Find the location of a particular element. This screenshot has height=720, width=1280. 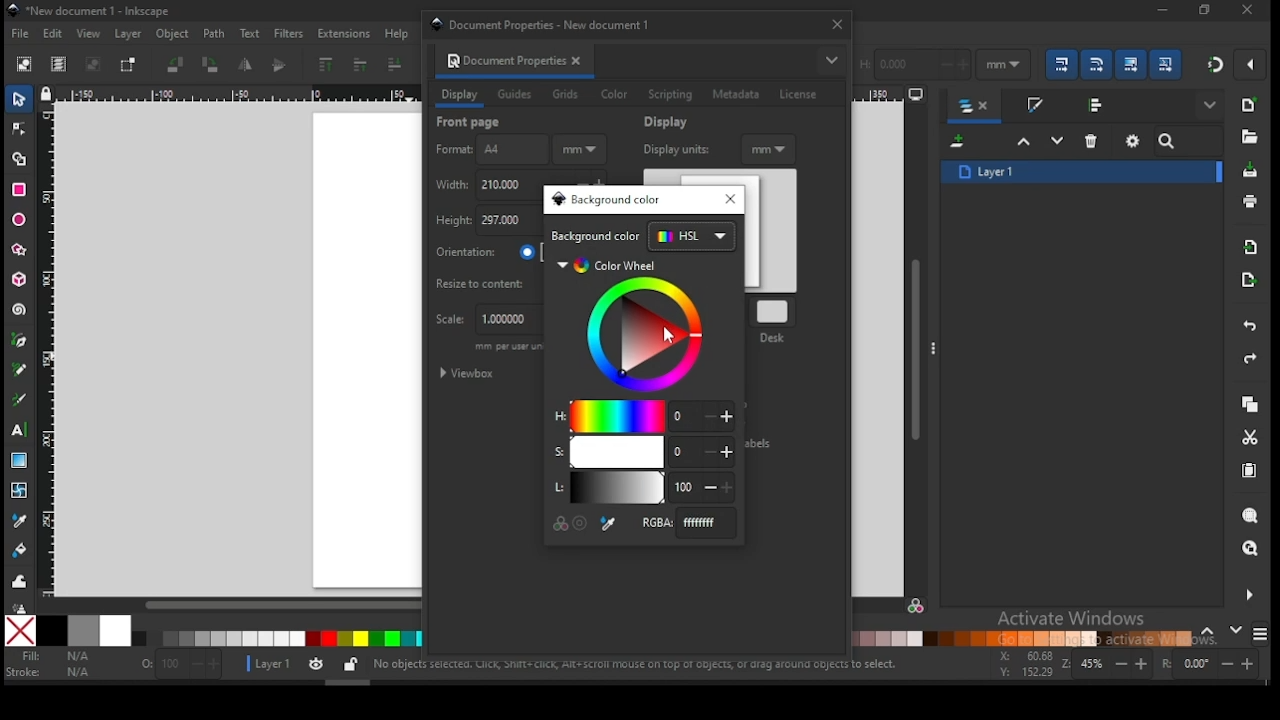

undo is located at coordinates (1250, 327).